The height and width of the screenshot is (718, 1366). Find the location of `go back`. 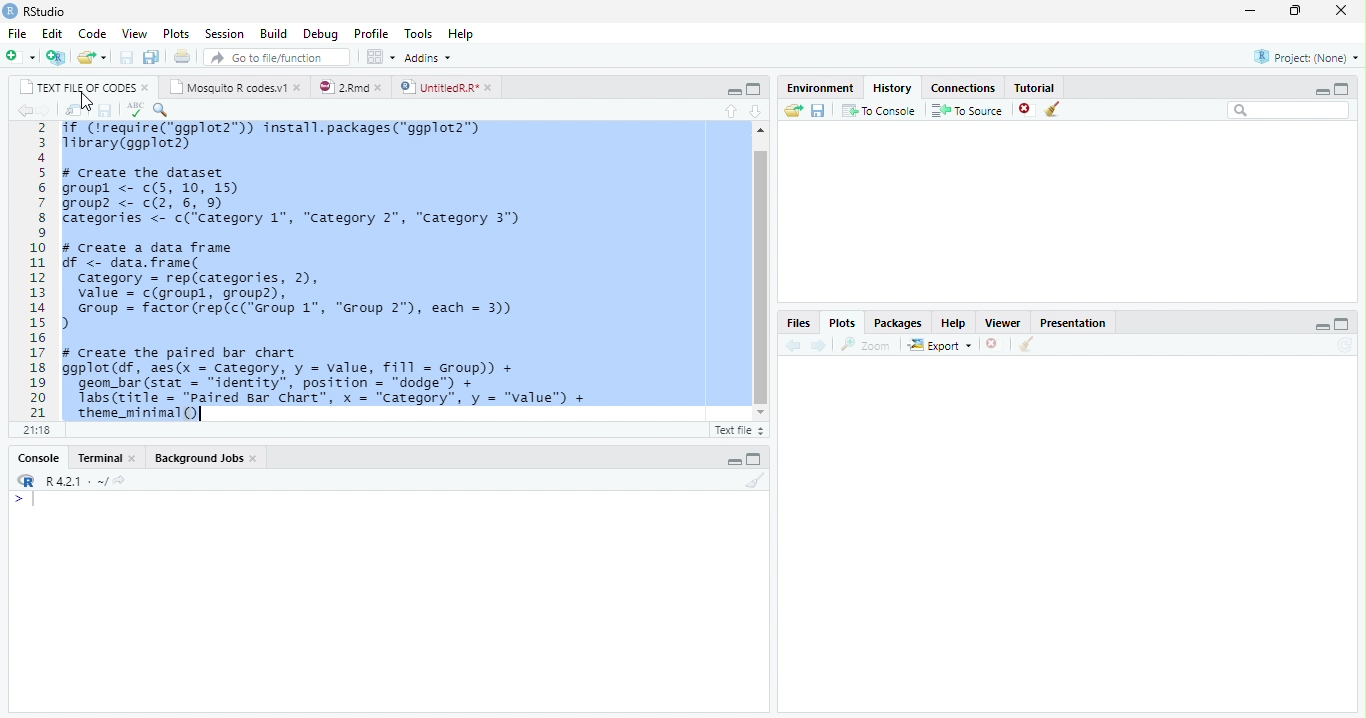

go back is located at coordinates (21, 110).